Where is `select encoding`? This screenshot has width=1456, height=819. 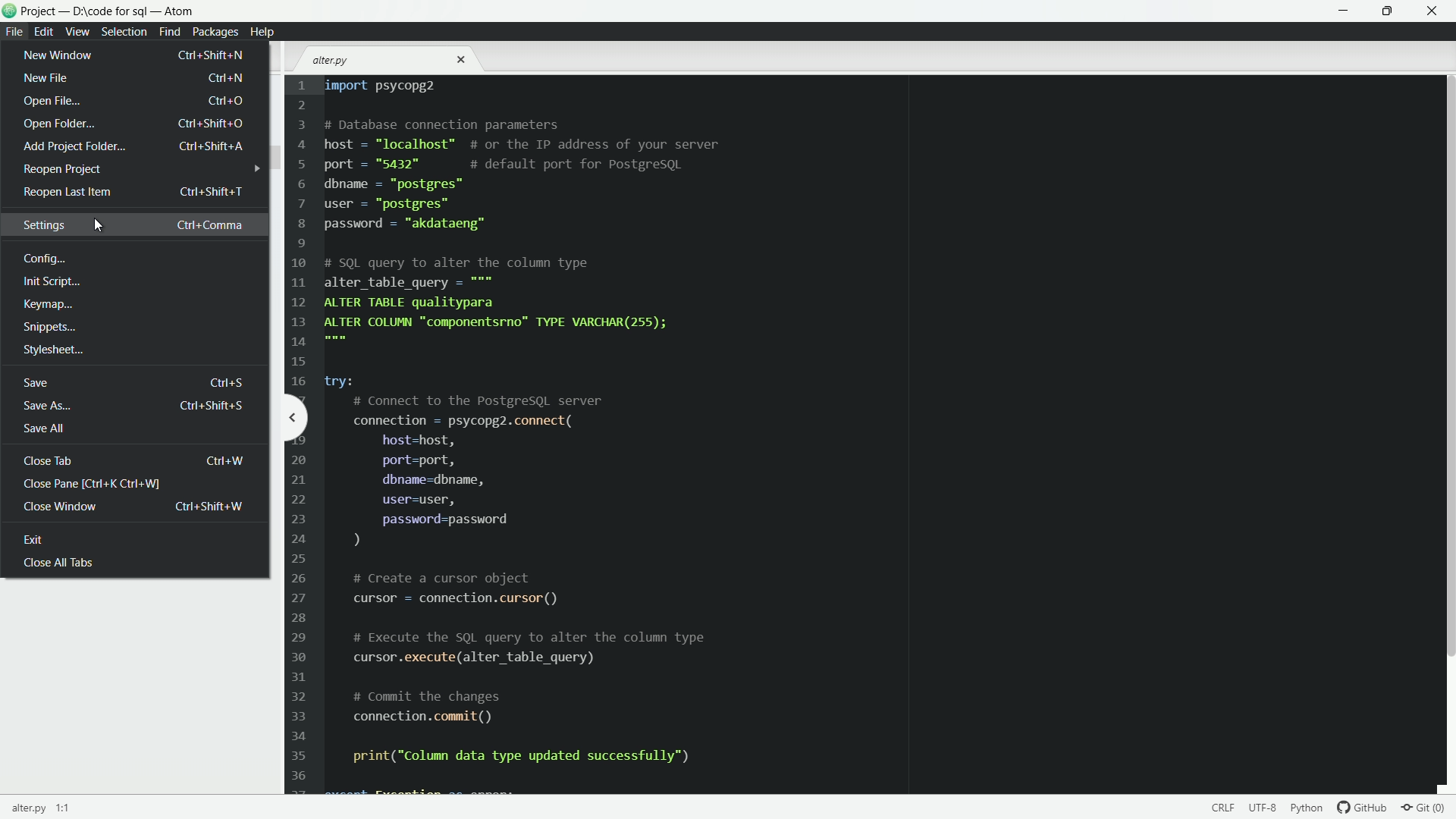 select encoding is located at coordinates (1221, 807).